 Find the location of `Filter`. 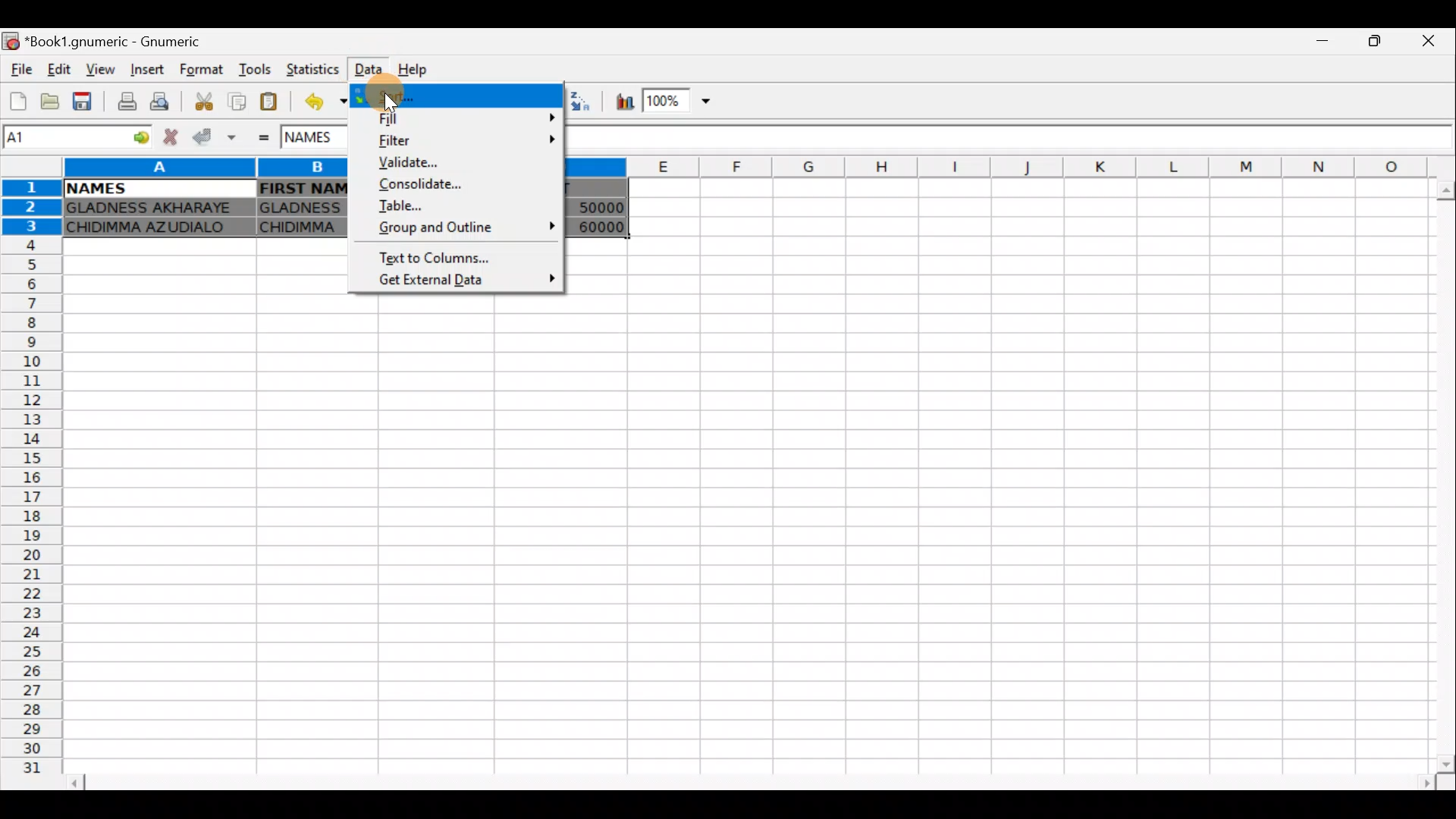

Filter is located at coordinates (465, 140).